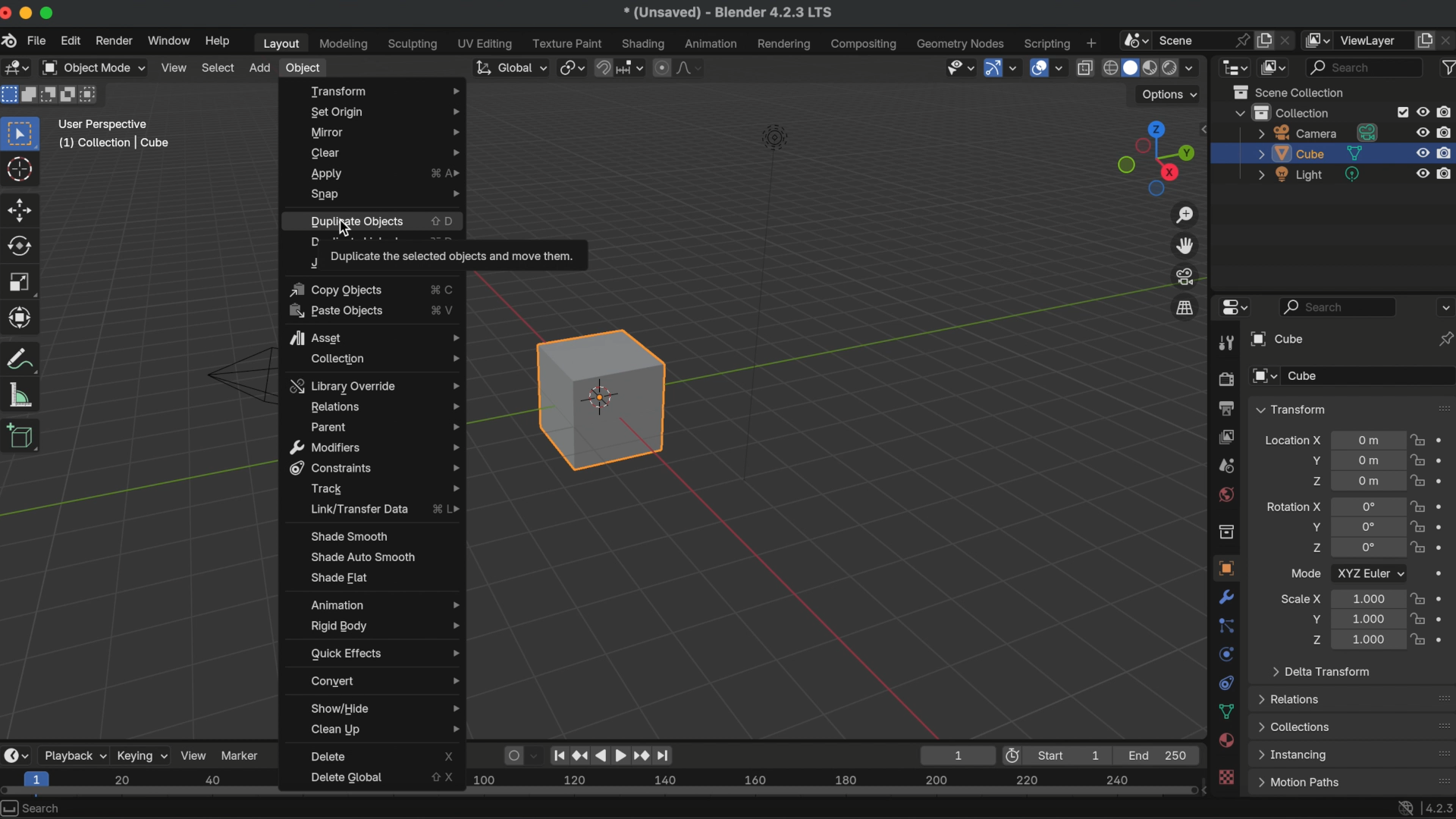  I want to click on euler rotation, so click(1368, 527).